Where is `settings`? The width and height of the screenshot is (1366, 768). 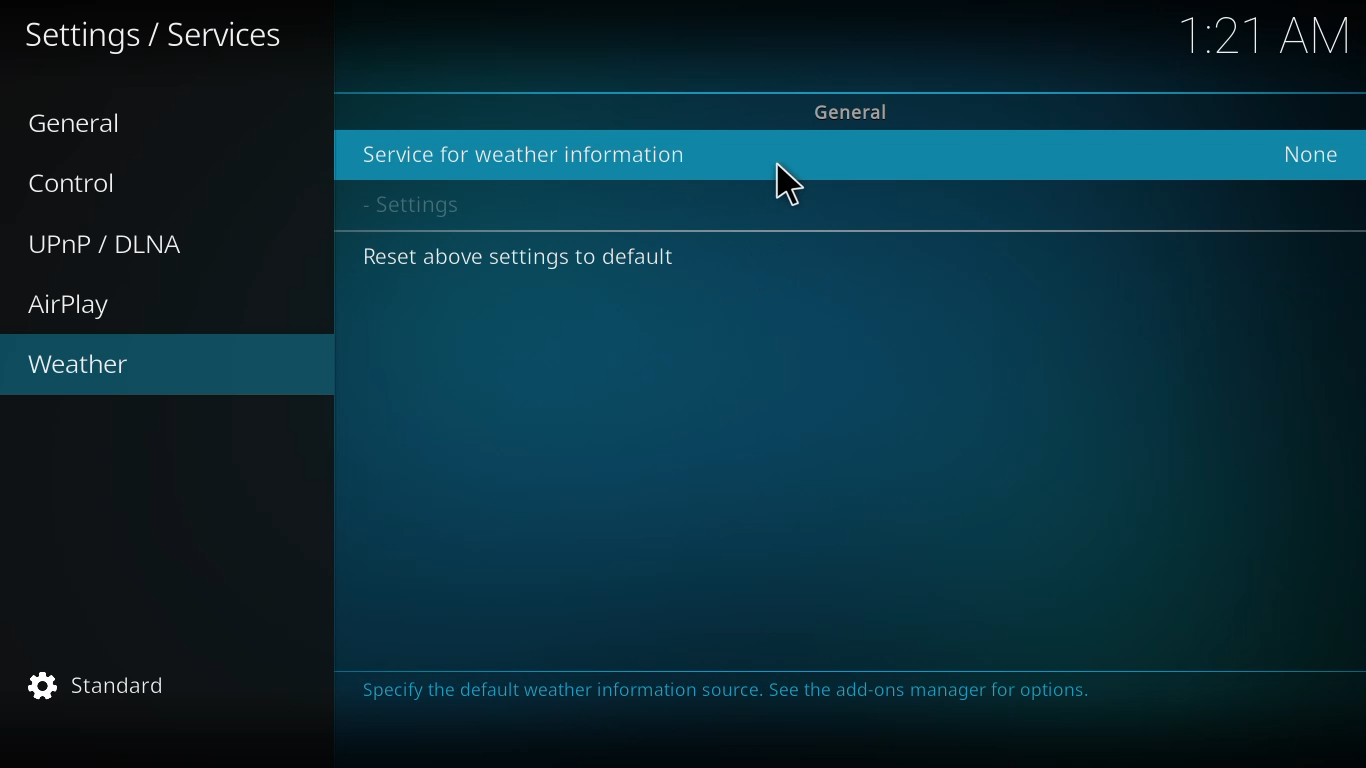
settings is located at coordinates (426, 205).